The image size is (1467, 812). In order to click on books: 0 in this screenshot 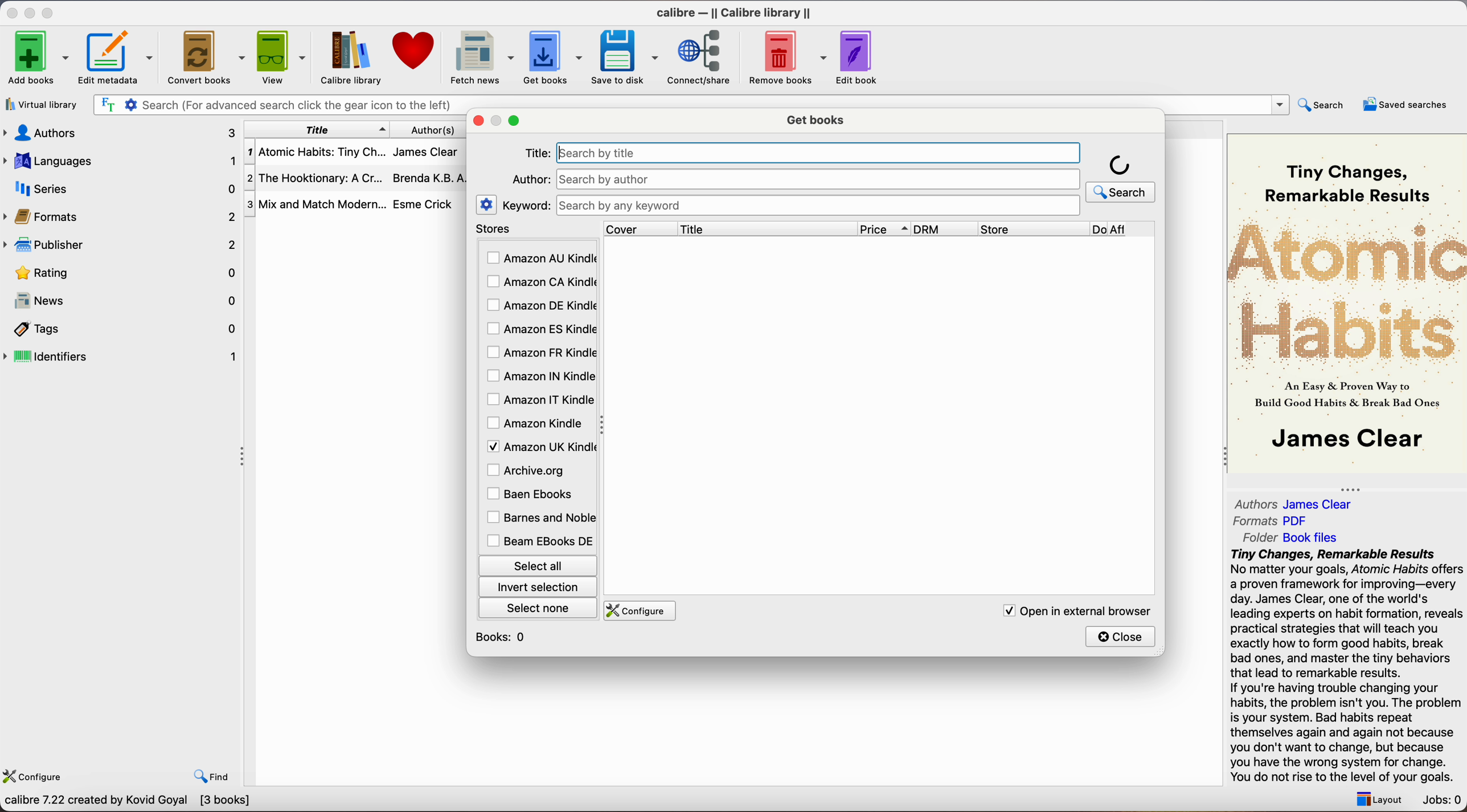, I will do `click(503, 637)`.